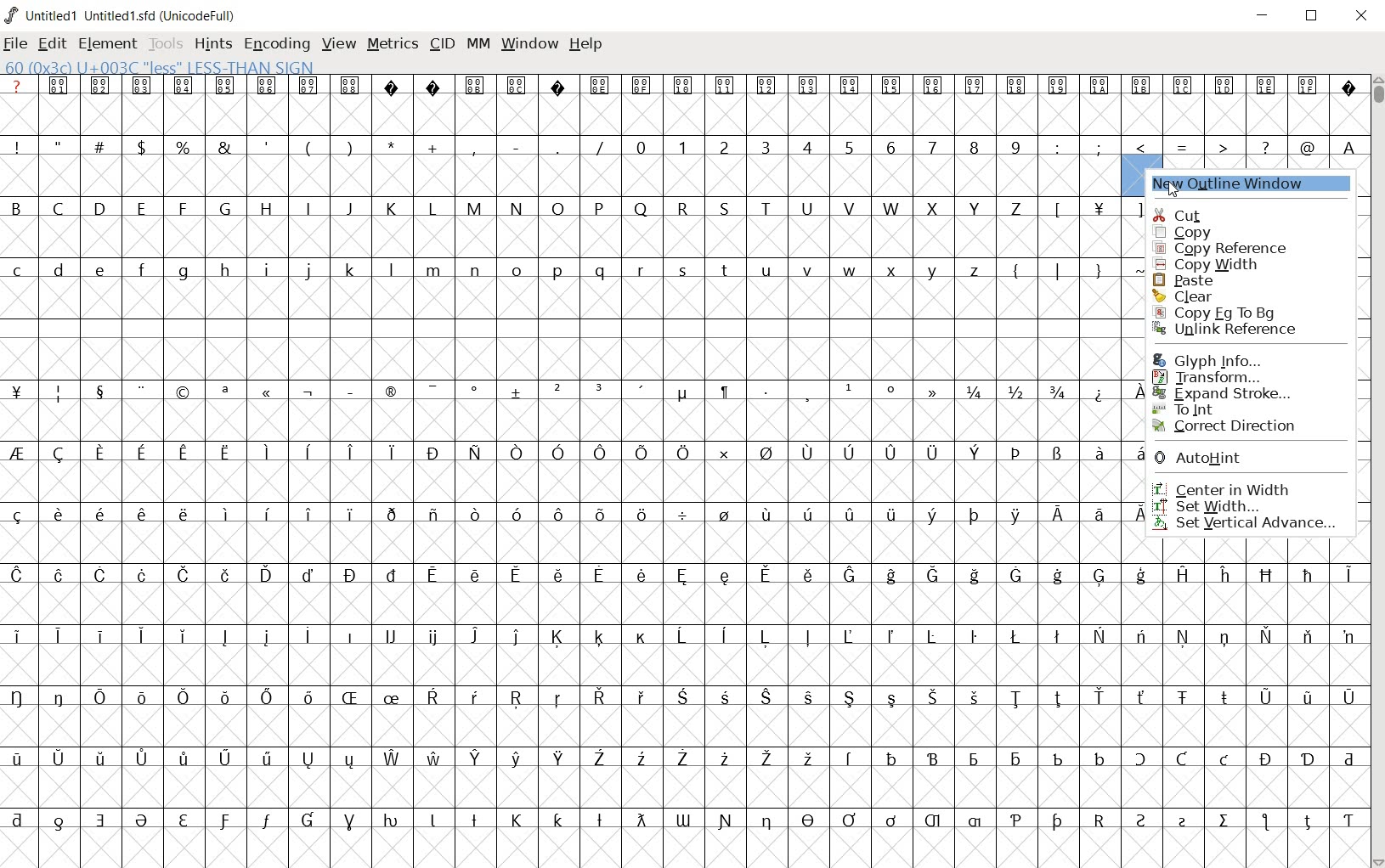 The width and height of the screenshot is (1385, 868). I want to click on small letter c - z, so click(495, 268).